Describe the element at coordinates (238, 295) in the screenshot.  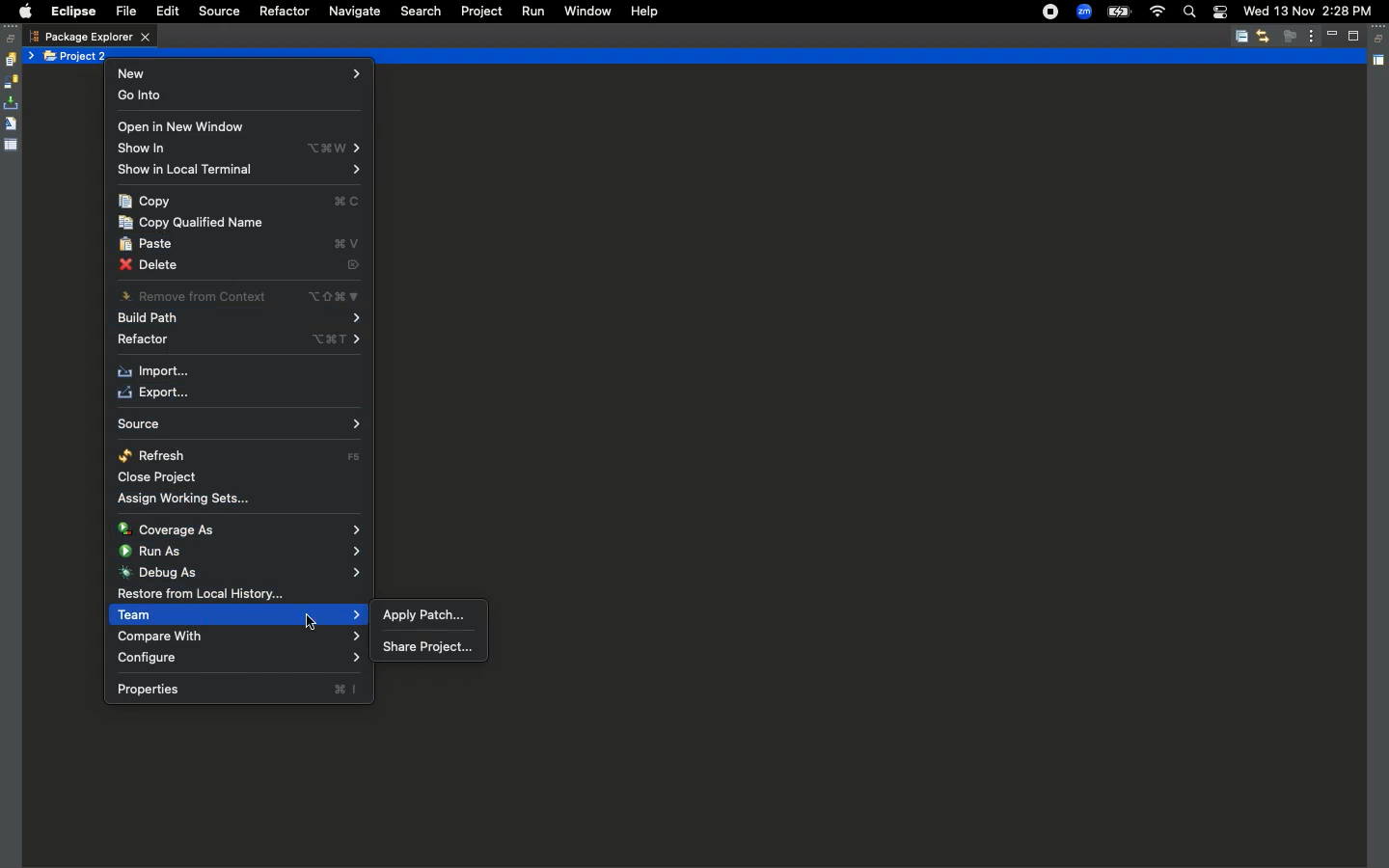
I see `Remove from context` at that location.